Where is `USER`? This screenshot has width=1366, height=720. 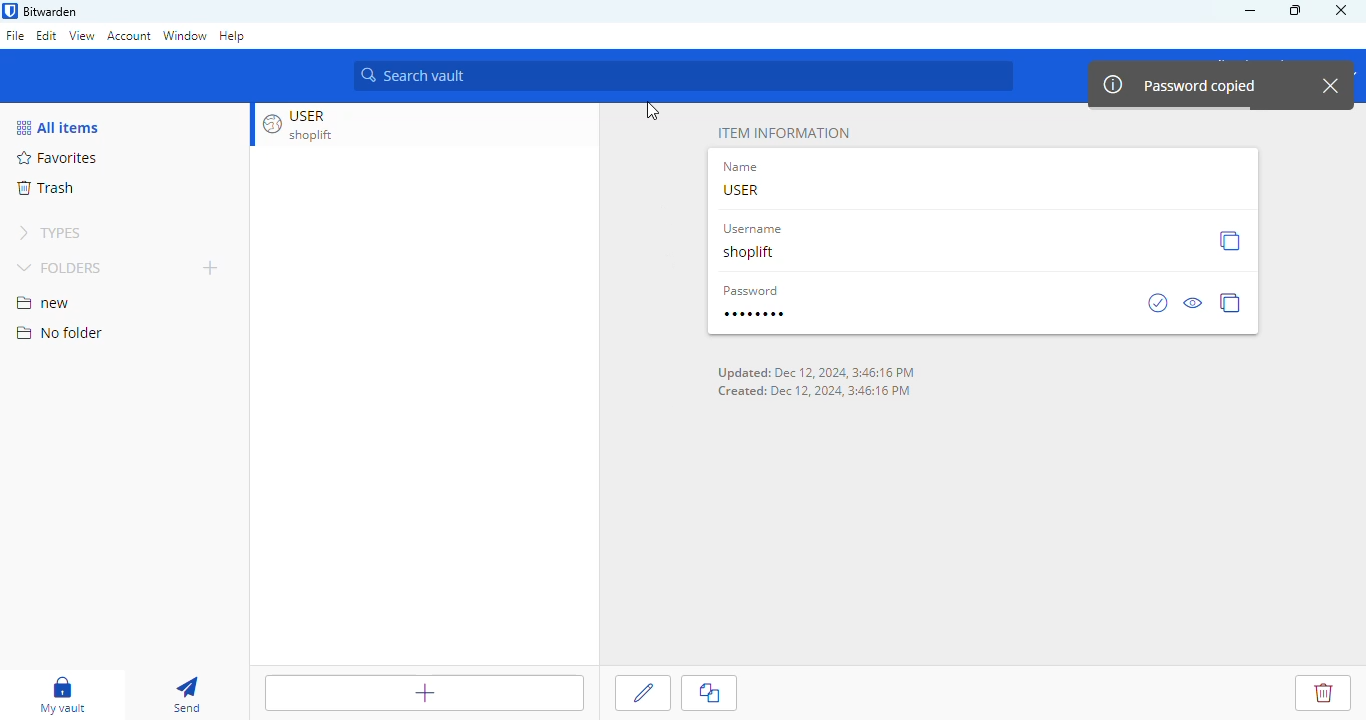
USER is located at coordinates (742, 190).